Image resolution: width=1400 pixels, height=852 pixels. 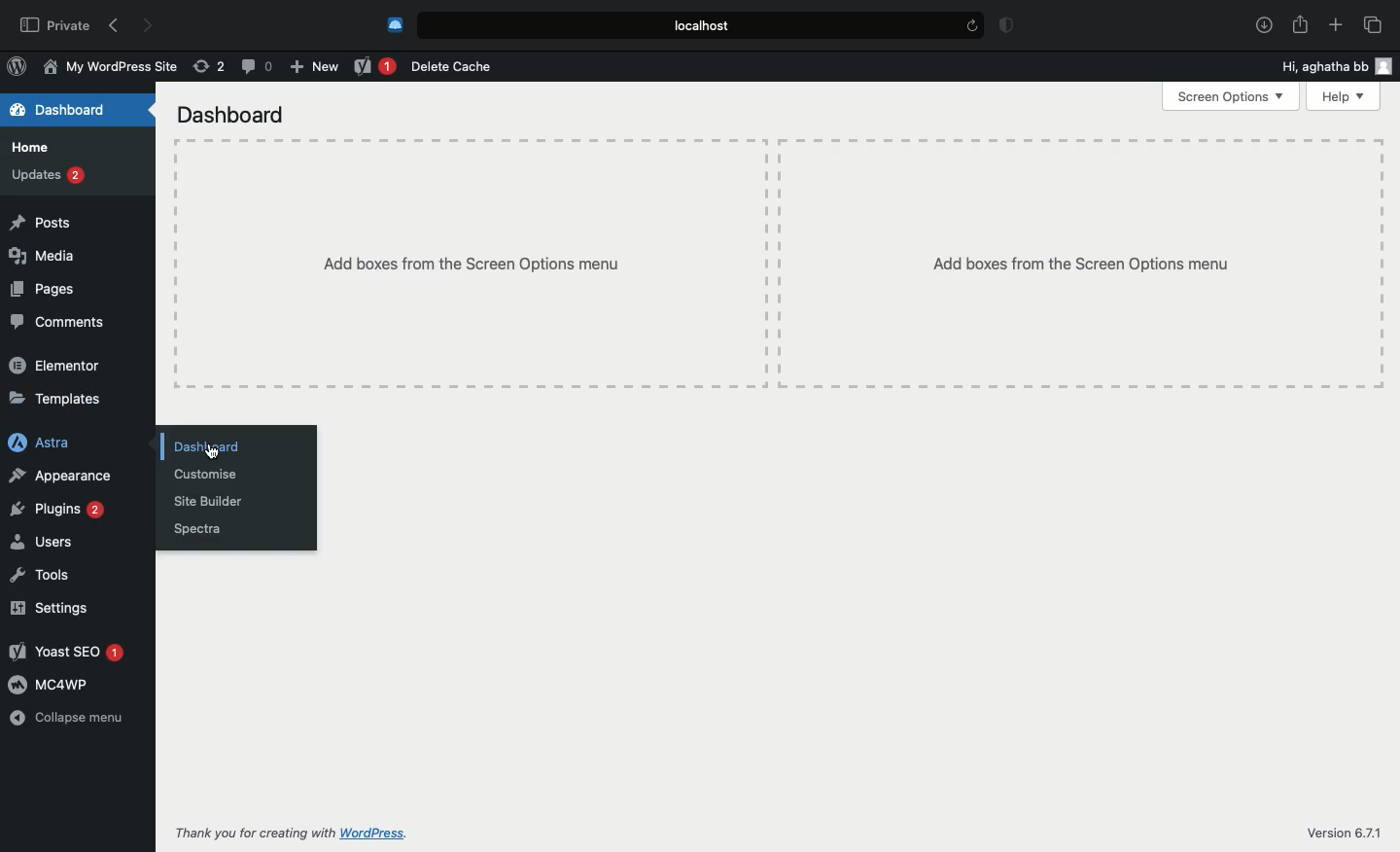 What do you see at coordinates (314, 66) in the screenshot?
I see `New` at bounding box center [314, 66].